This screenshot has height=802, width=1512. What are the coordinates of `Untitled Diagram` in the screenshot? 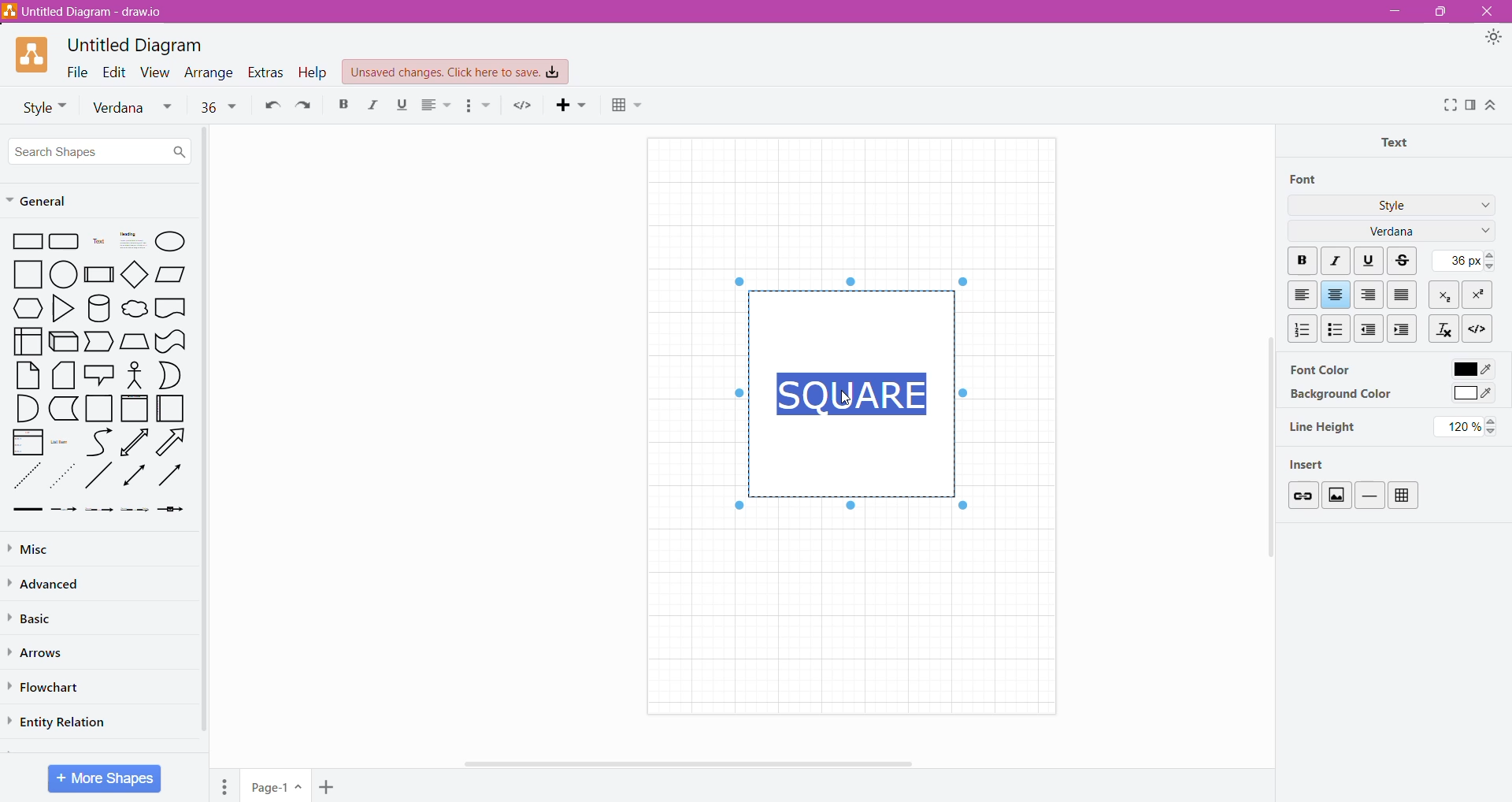 It's located at (139, 45).